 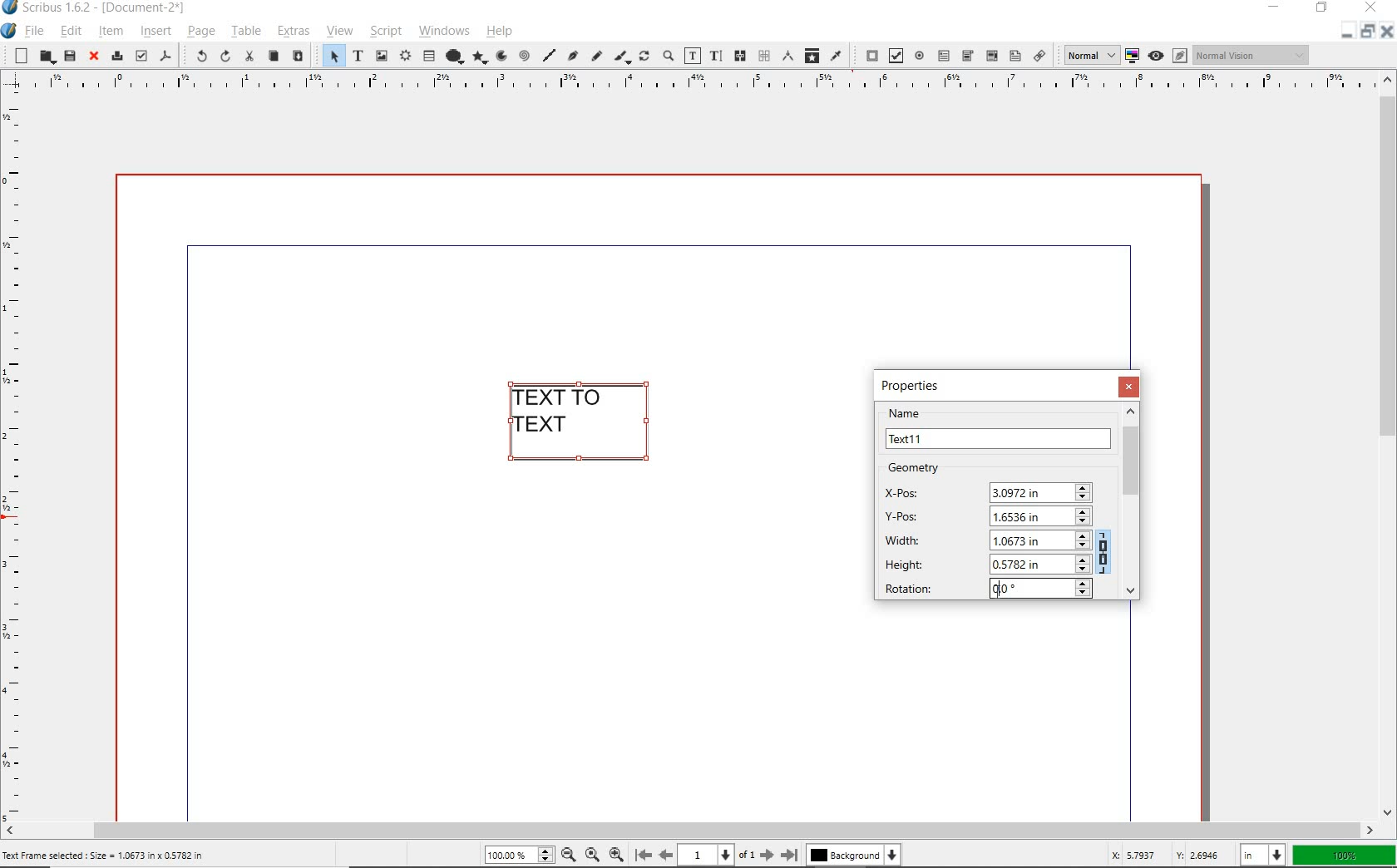 What do you see at coordinates (480, 58) in the screenshot?
I see `polygon` at bounding box center [480, 58].